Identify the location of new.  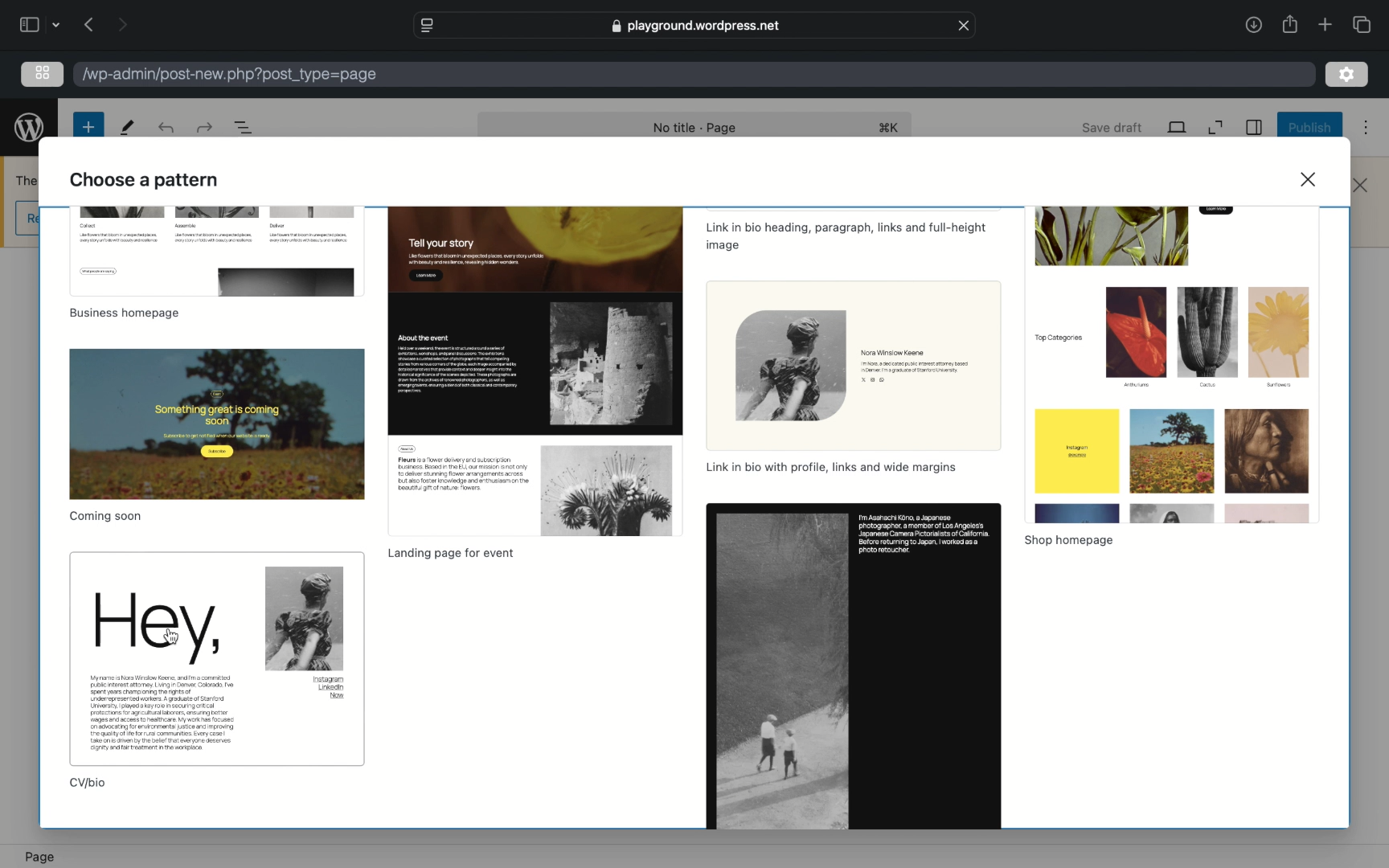
(88, 127).